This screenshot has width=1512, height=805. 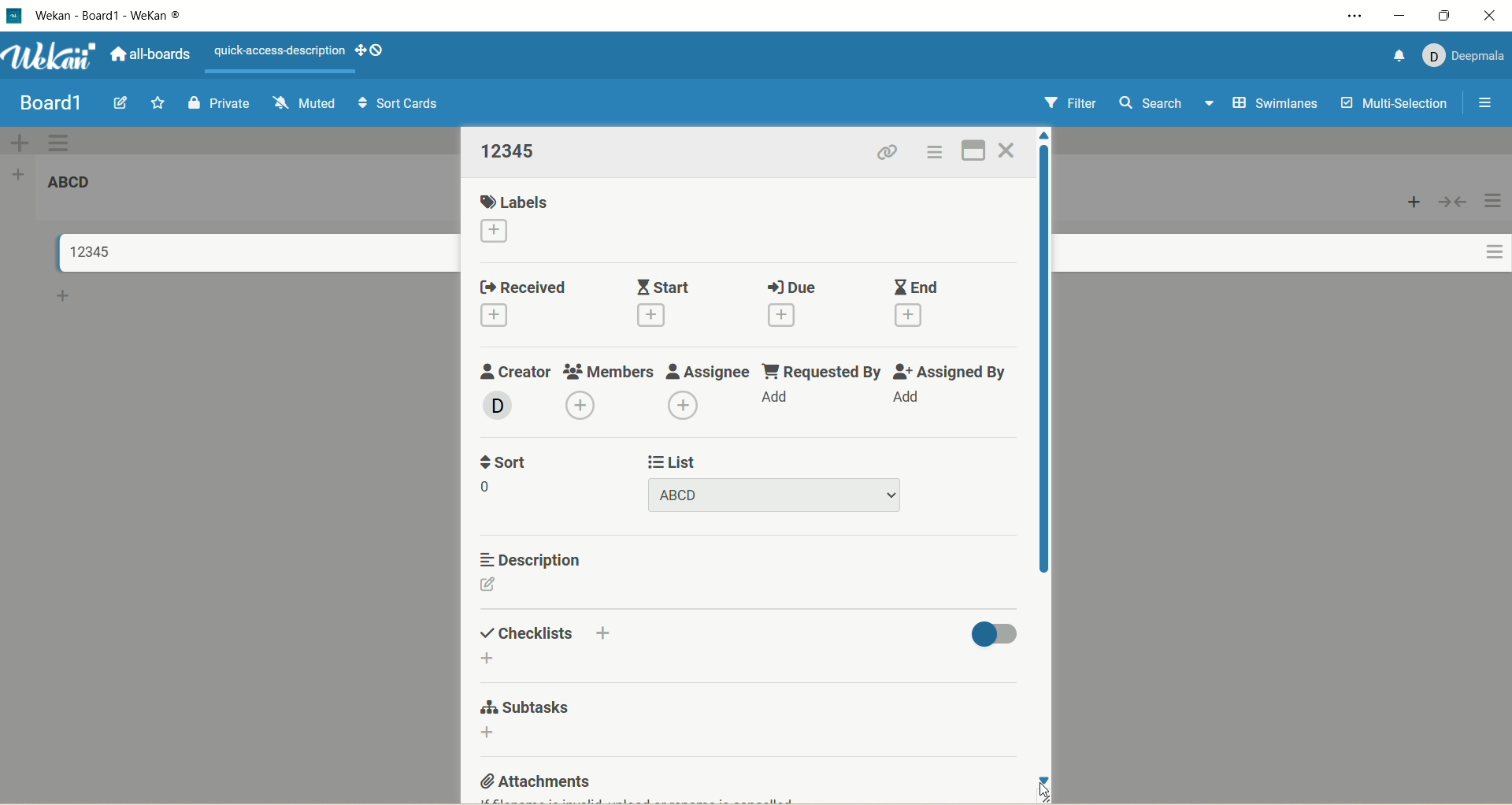 I want to click on add, so click(x=908, y=400).